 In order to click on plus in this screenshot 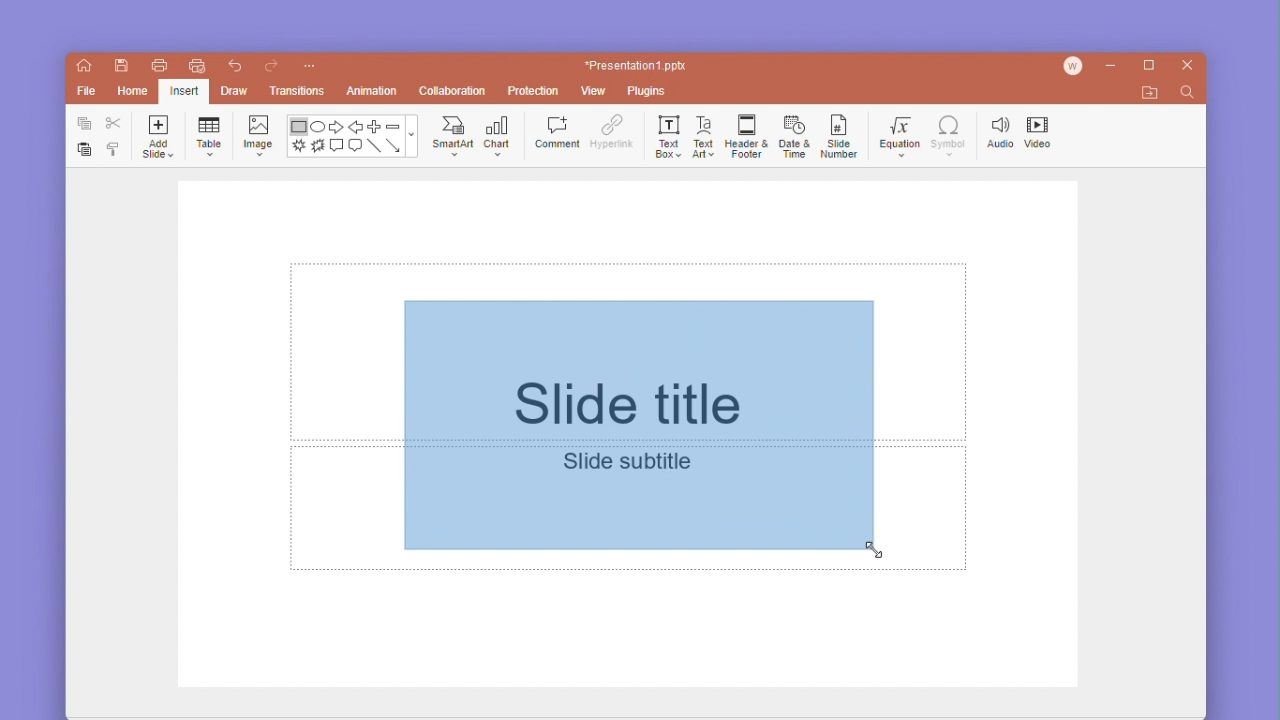, I will do `click(373, 126)`.